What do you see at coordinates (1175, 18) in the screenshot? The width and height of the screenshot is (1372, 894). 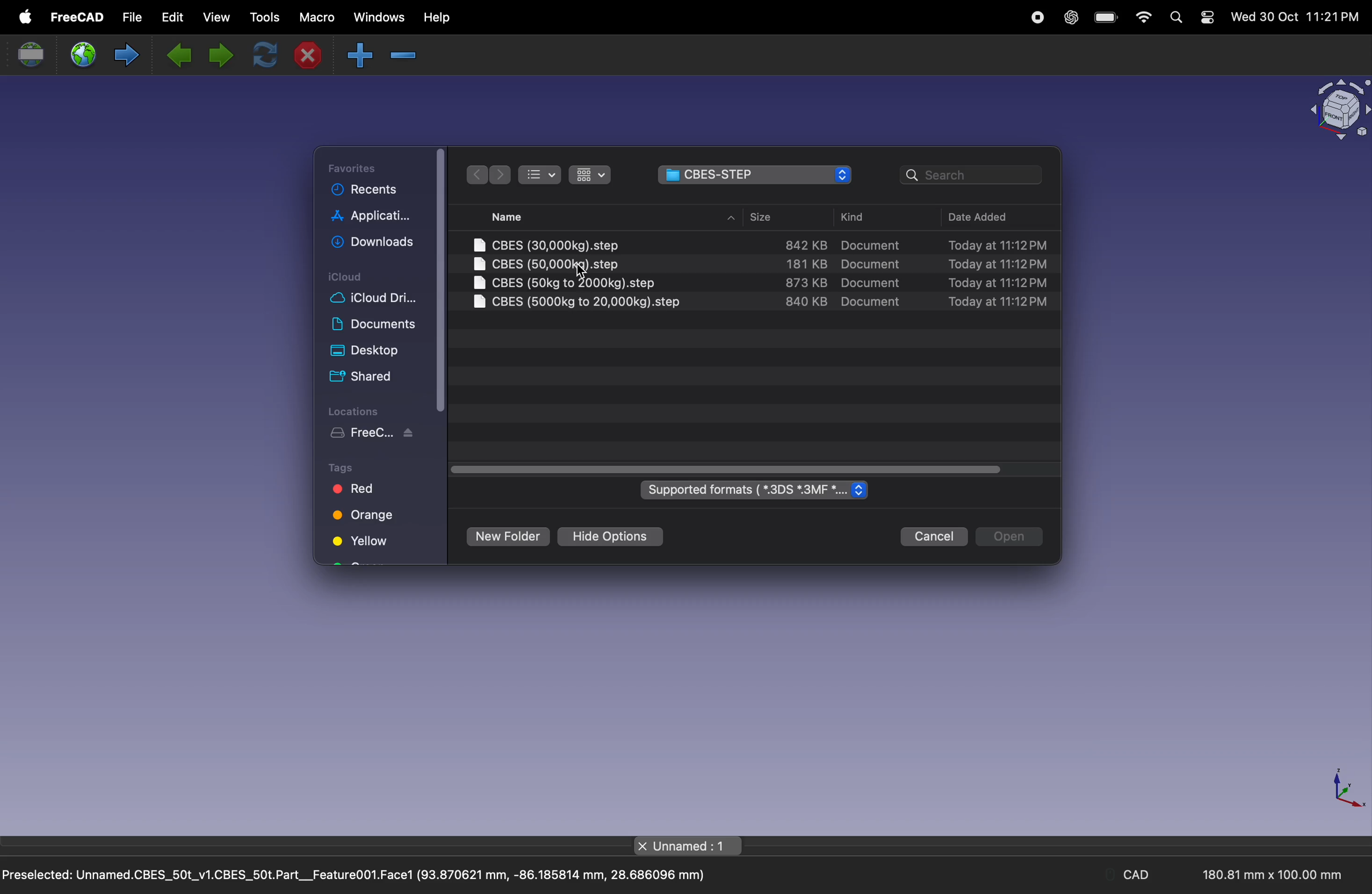 I see `search` at bounding box center [1175, 18].